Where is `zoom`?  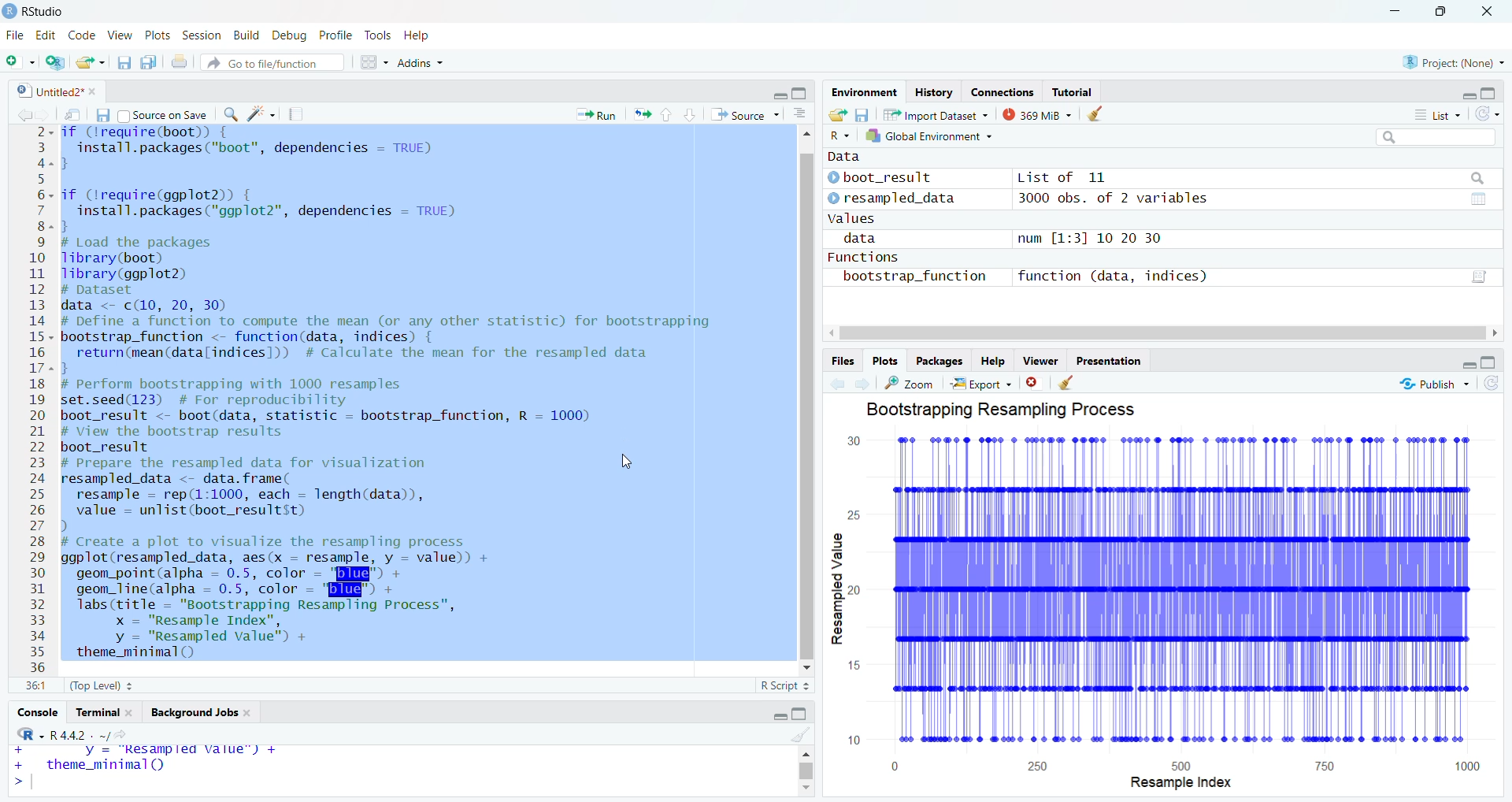
zoom is located at coordinates (910, 383).